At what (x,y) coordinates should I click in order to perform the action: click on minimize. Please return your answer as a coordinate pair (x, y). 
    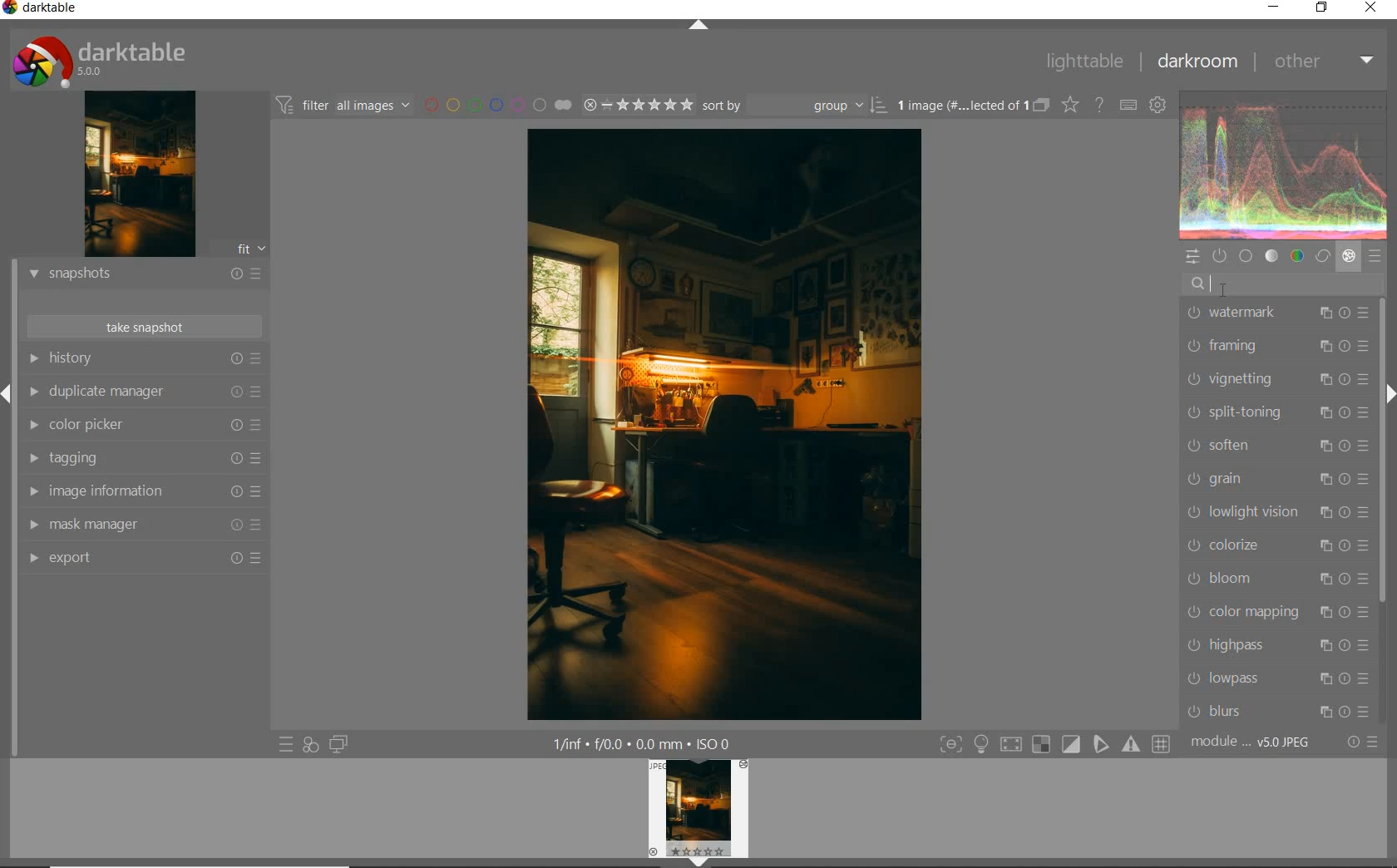
    Looking at the image, I should click on (1273, 8).